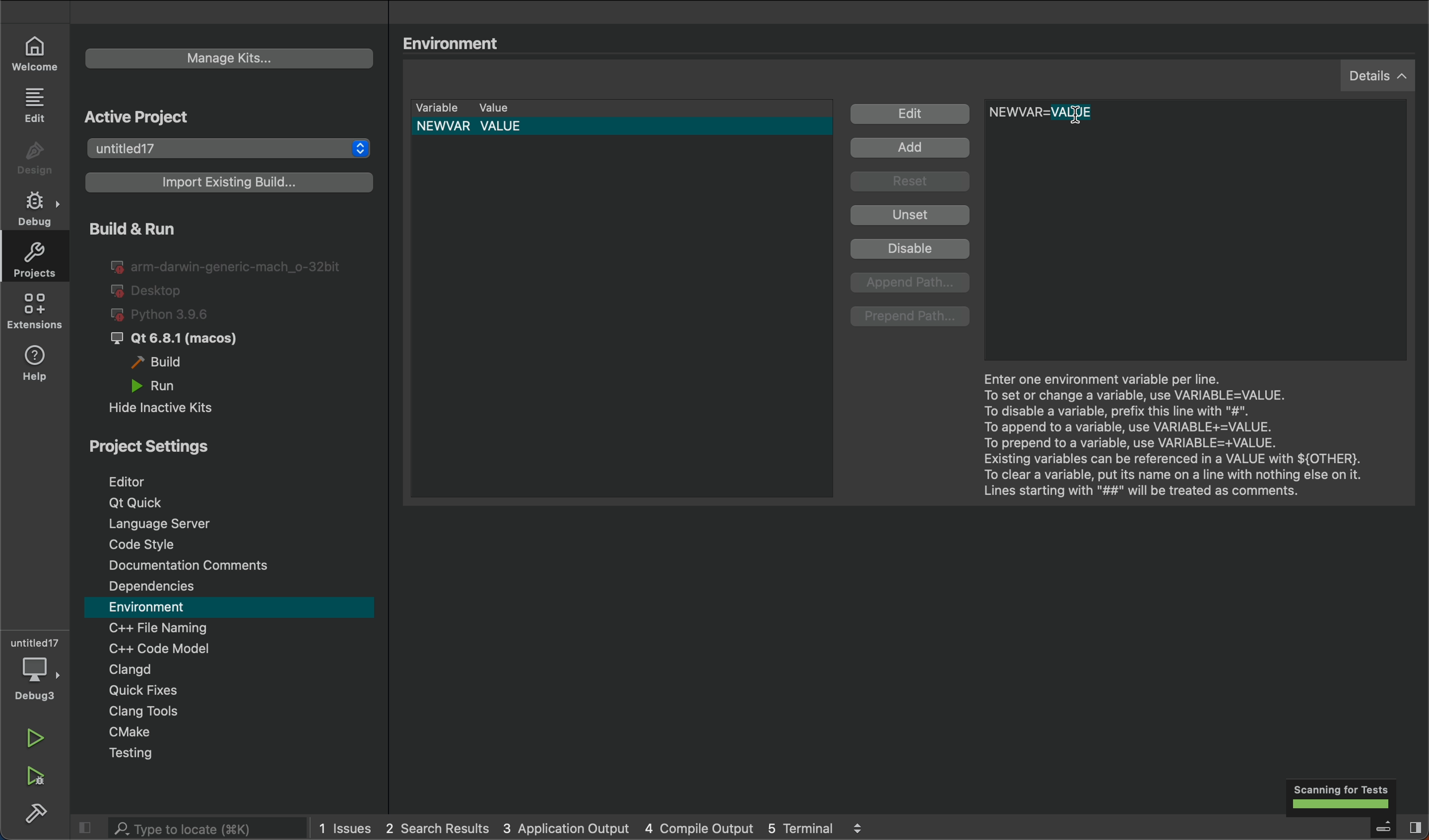 This screenshot has height=840, width=1429. Describe the element at coordinates (232, 648) in the screenshot. I see `code modal` at that location.